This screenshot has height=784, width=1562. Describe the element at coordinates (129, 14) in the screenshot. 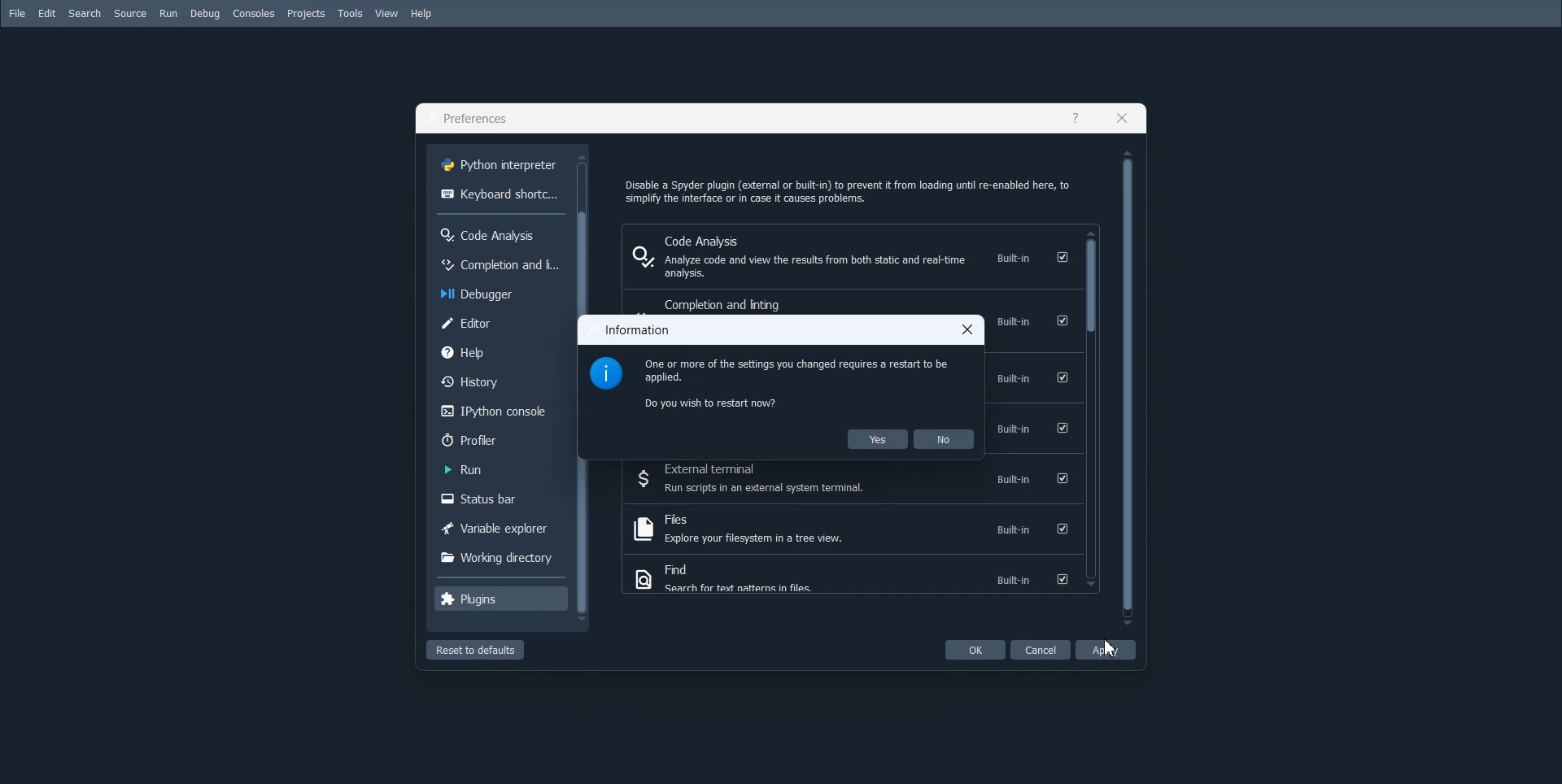

I see `Source` at that location.